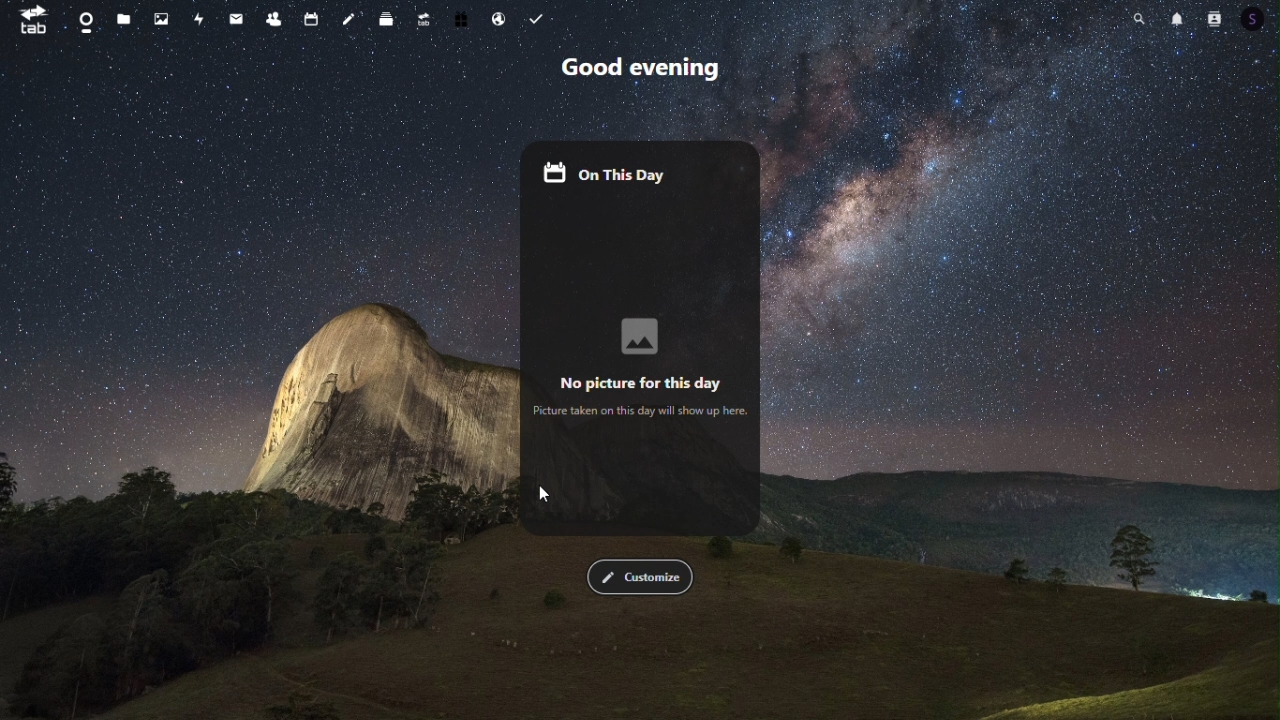 This screenshot has width=1280, height=720. I want to click on Search, so click(1143, 16).